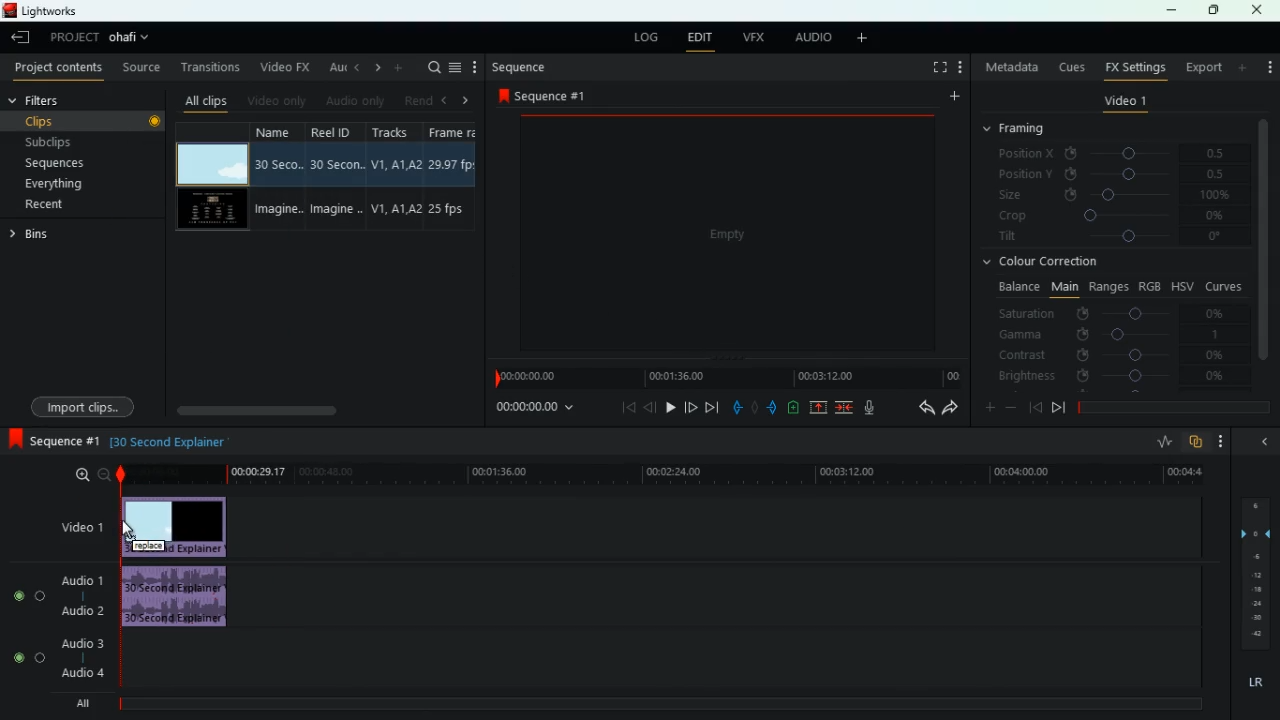 The height and width of the screenshot is (720, 1280). What do you see at coordinates (1125, 104) in the screenshot?
I see `video 1` at bounding box center [1125, 104].